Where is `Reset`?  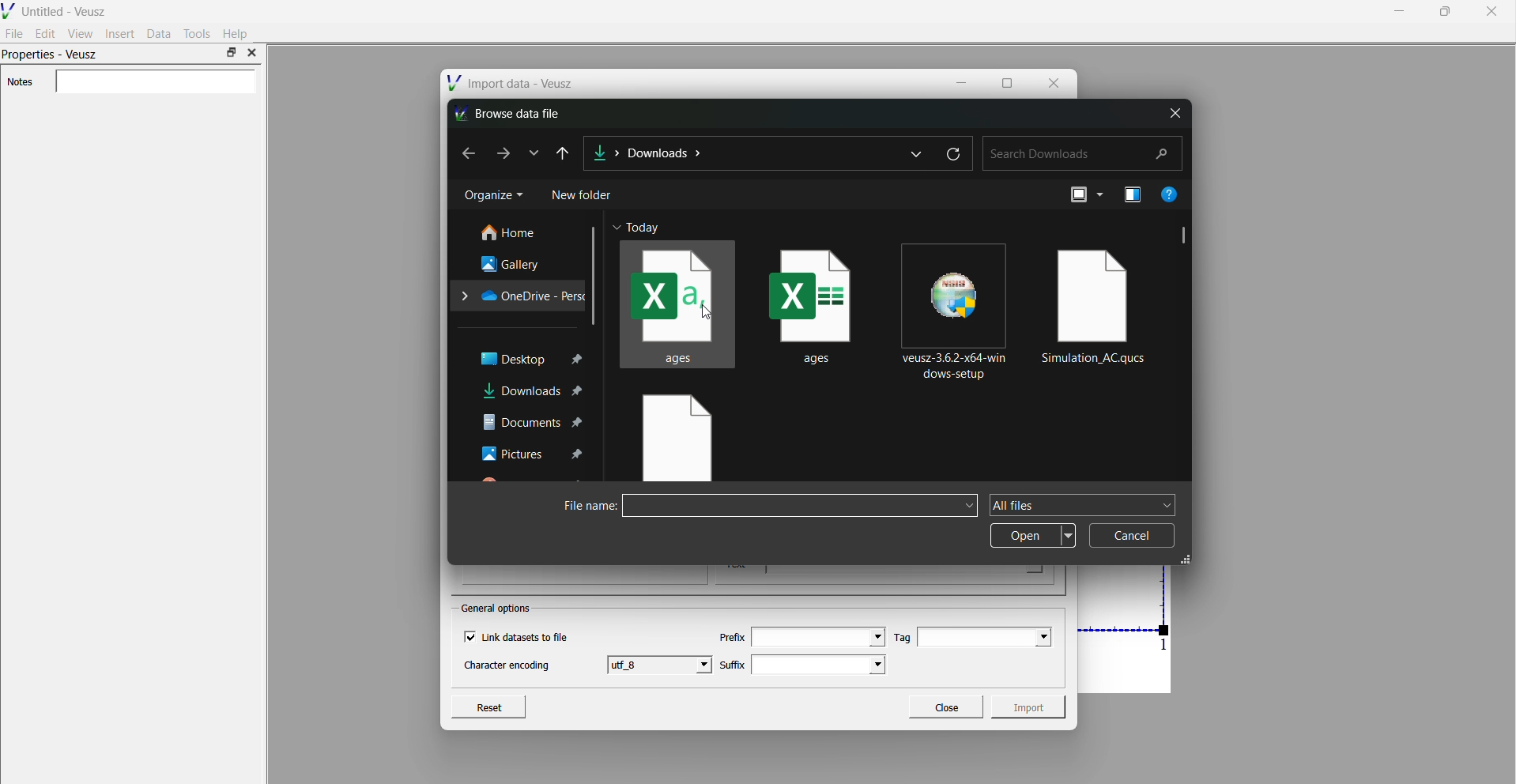 Reset is located at coordinates (488, 705).